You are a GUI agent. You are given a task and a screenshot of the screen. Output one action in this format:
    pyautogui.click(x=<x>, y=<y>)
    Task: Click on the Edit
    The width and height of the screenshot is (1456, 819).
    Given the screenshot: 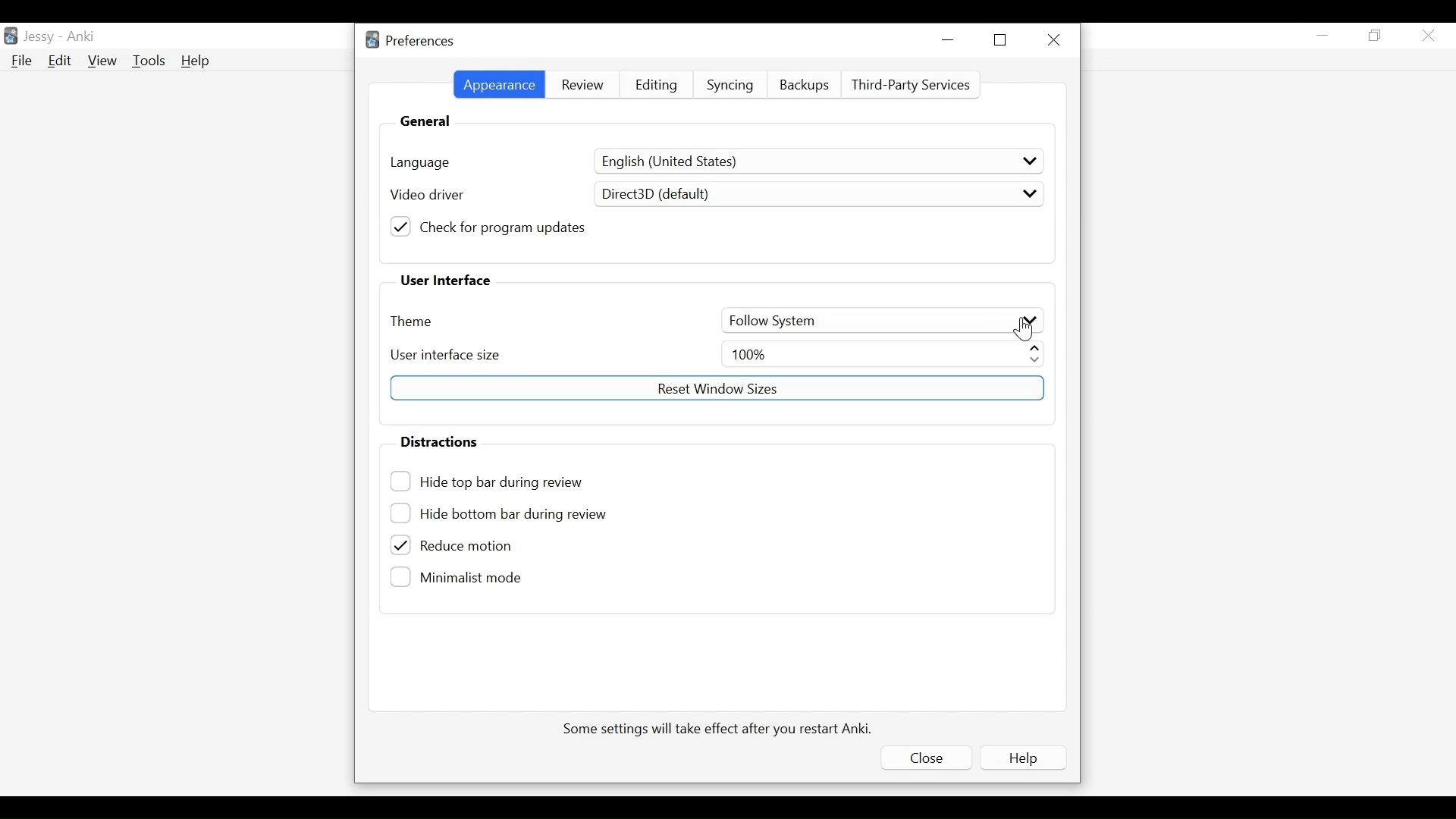 What is the action you would take?
    pyautogui.click(x=60, y=60)
    